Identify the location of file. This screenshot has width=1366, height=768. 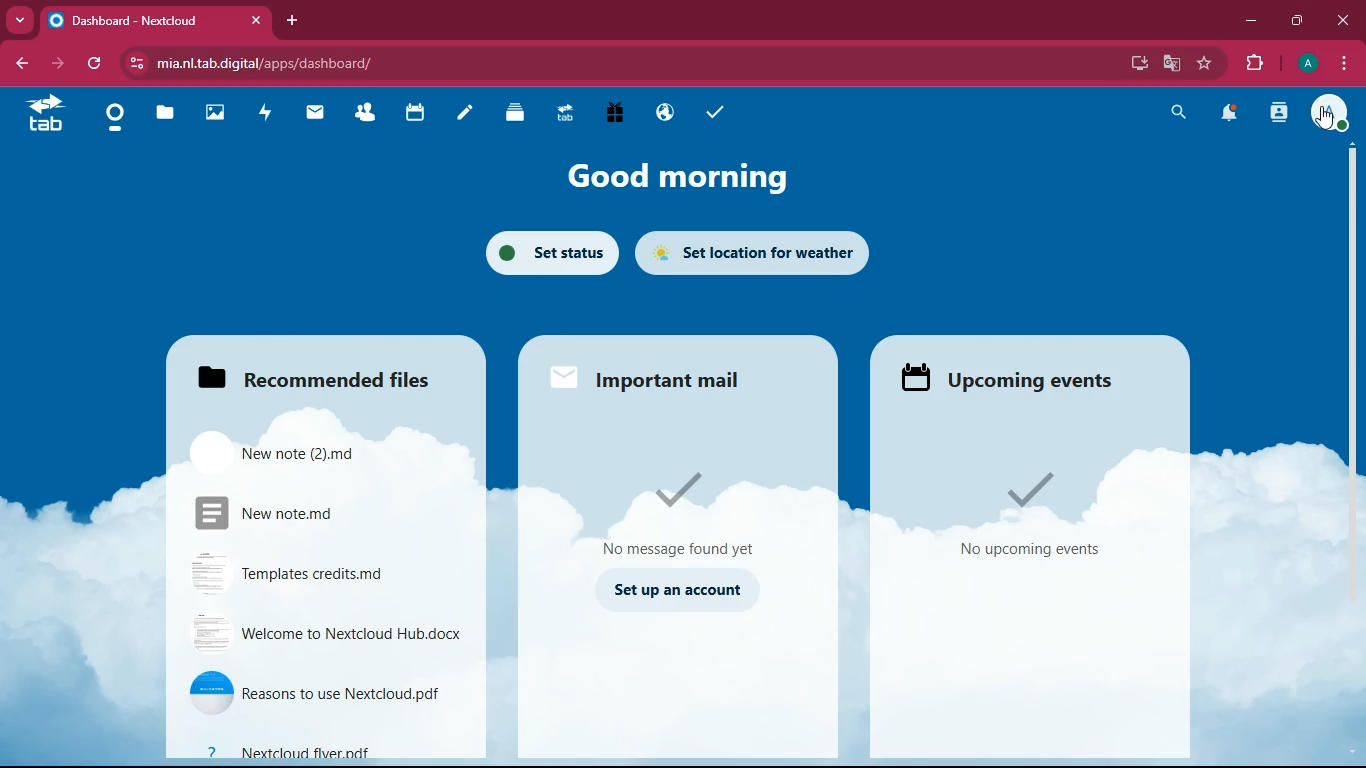
(318, 569).